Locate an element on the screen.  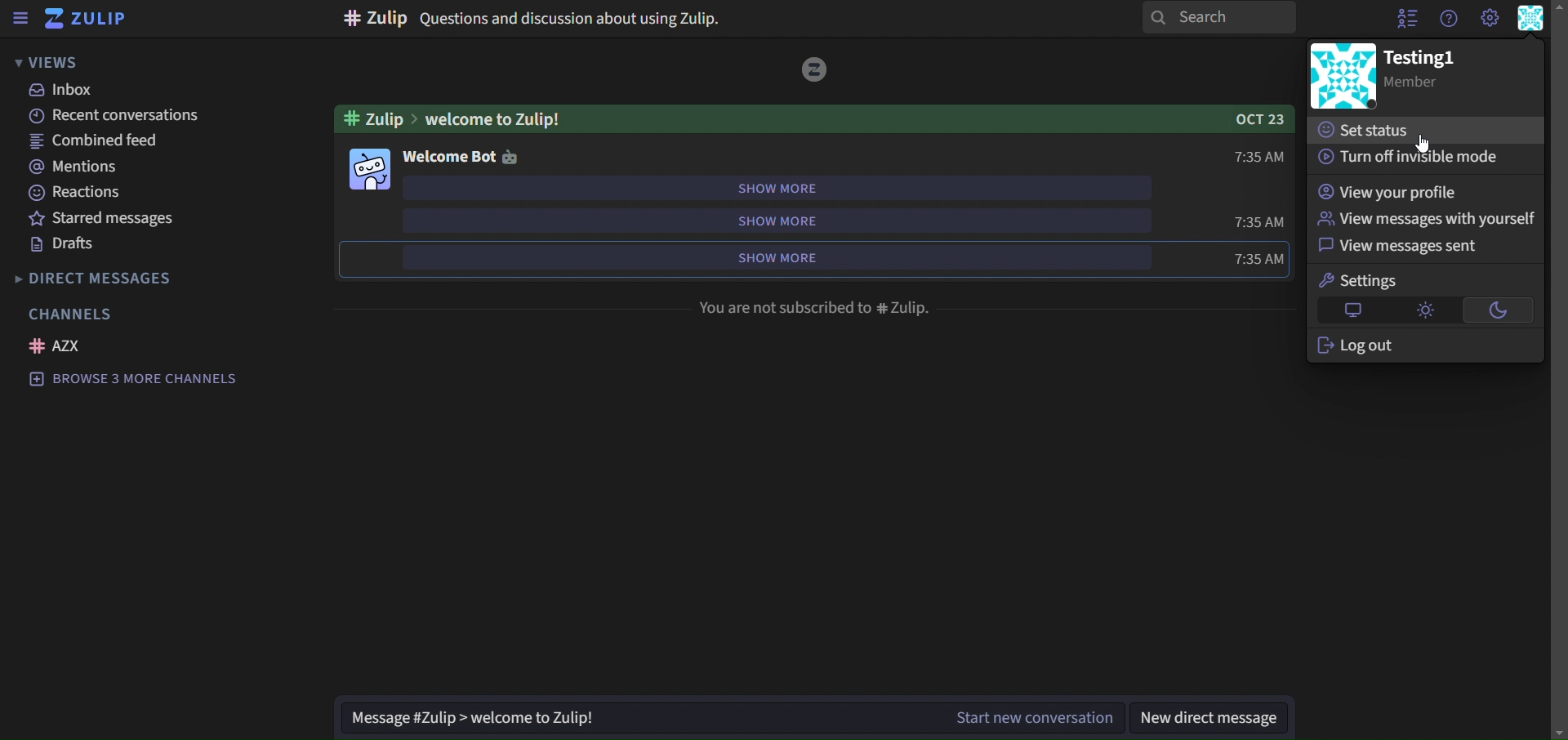
show more is located at coordinates (789, 258).